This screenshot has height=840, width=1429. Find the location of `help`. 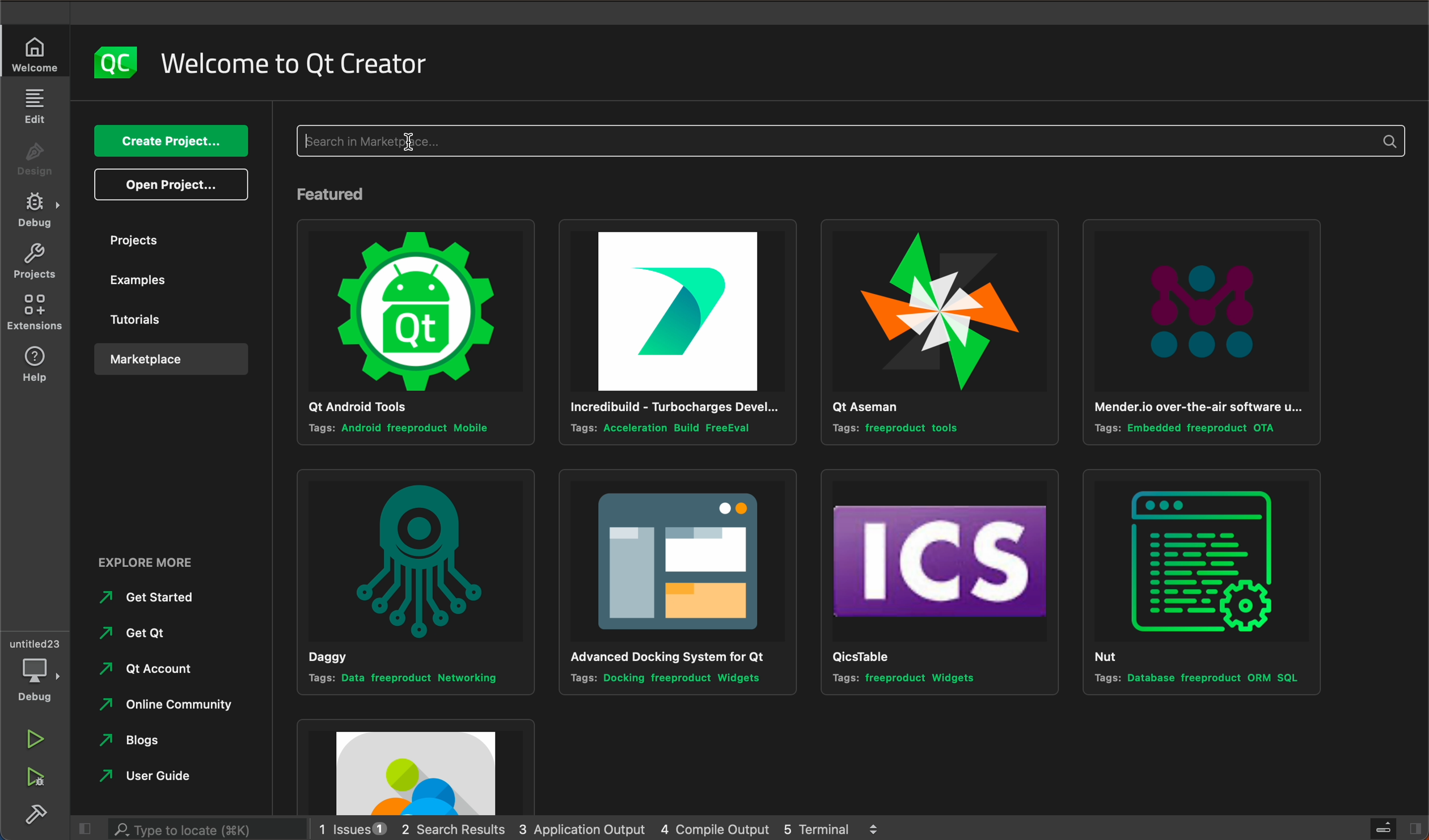

help is located at coordinates (34, 364).